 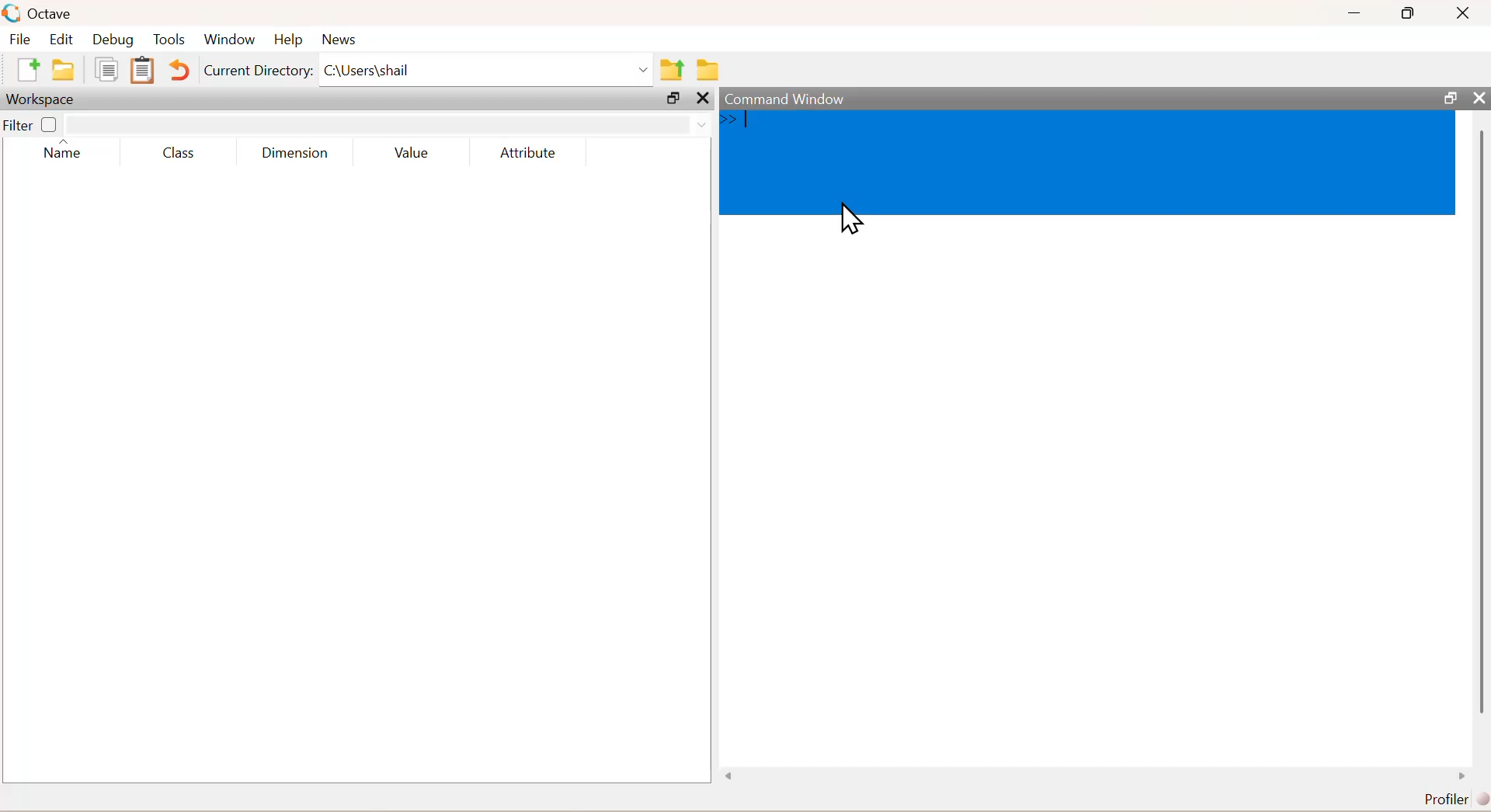 I want to click on scroll bar, so click(x=1481, y=425).